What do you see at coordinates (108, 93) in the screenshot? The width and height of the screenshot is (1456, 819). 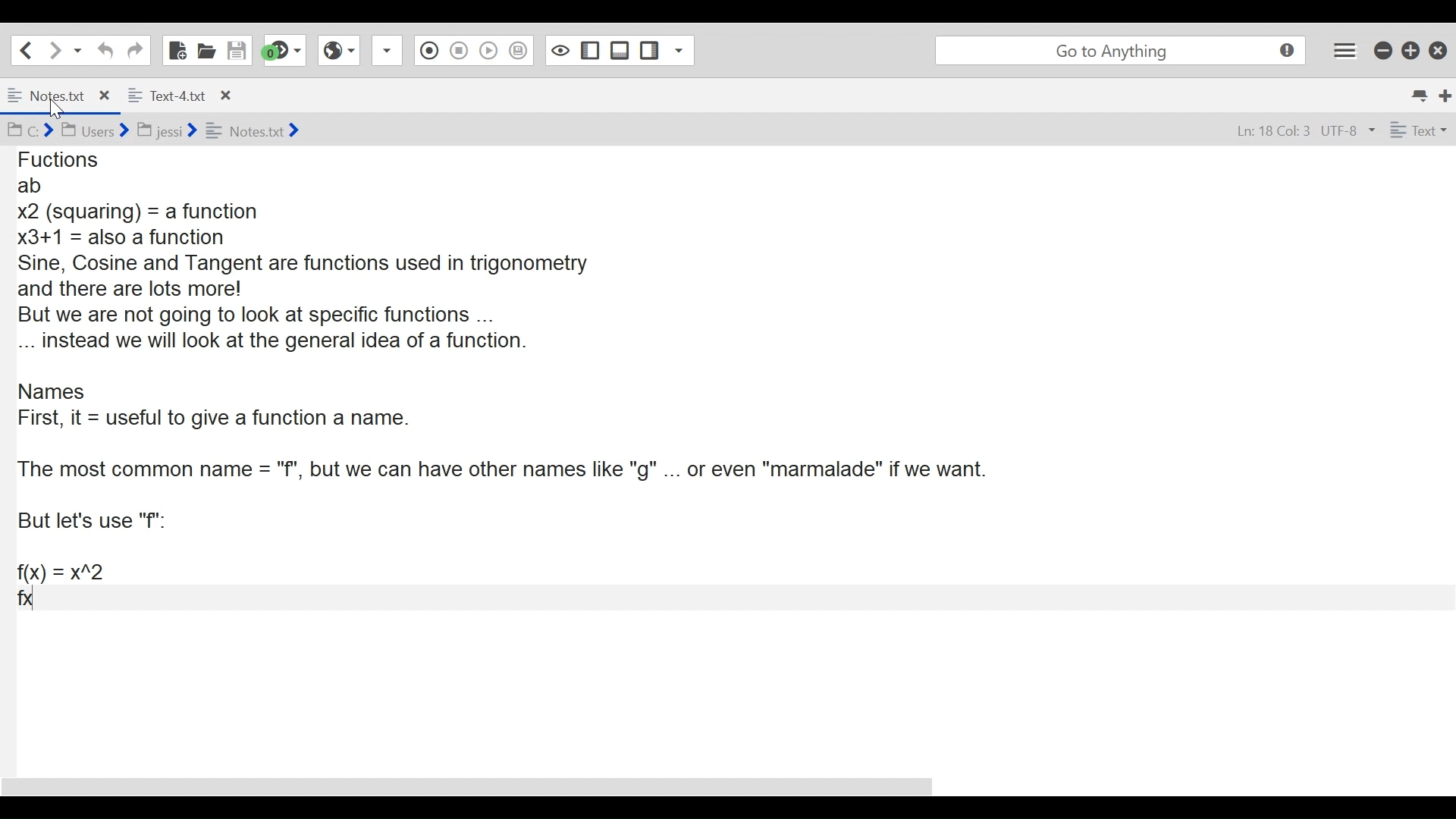 I see `close` at bounding box center [108, 93].